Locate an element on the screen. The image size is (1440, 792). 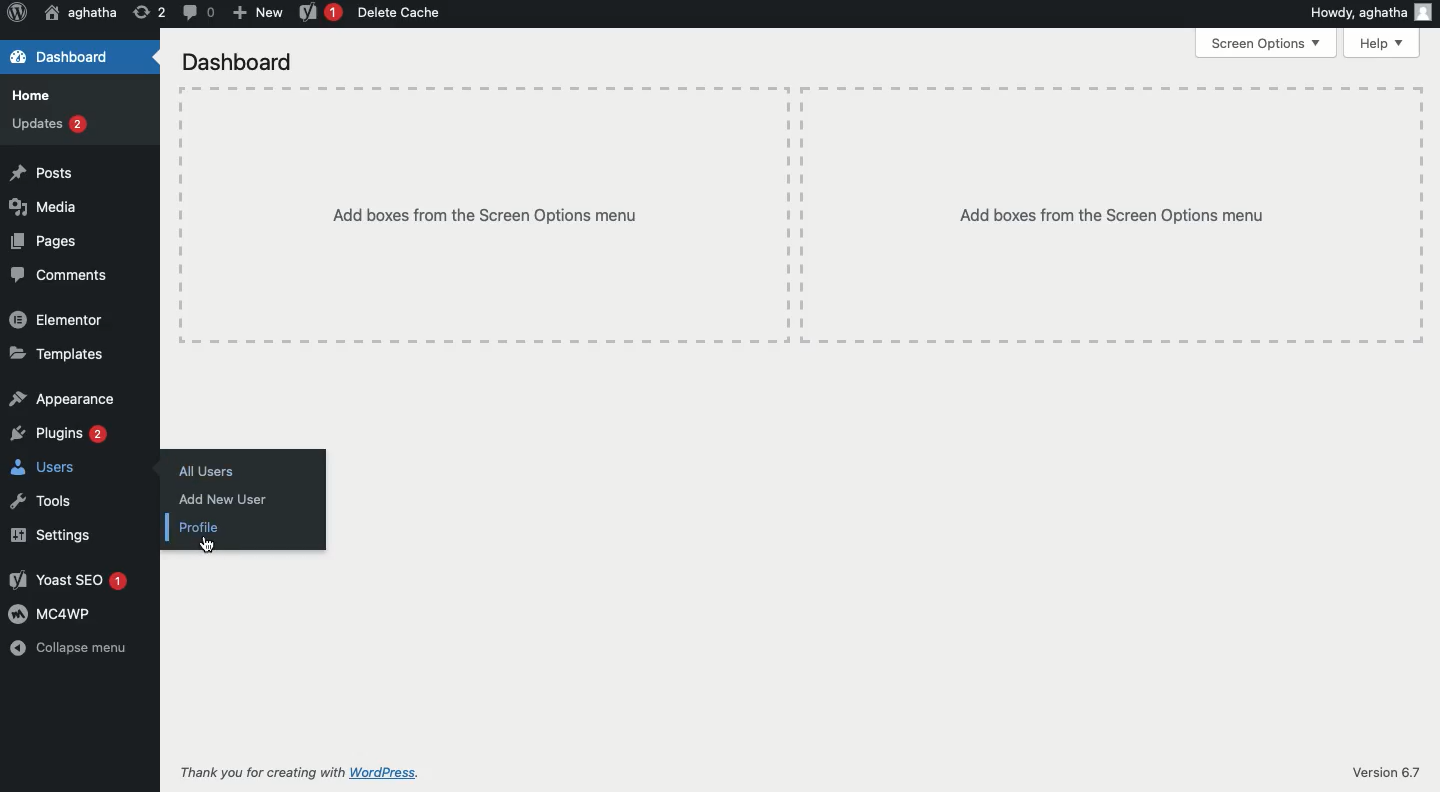
Yoast is located at coordinates (67, 582).